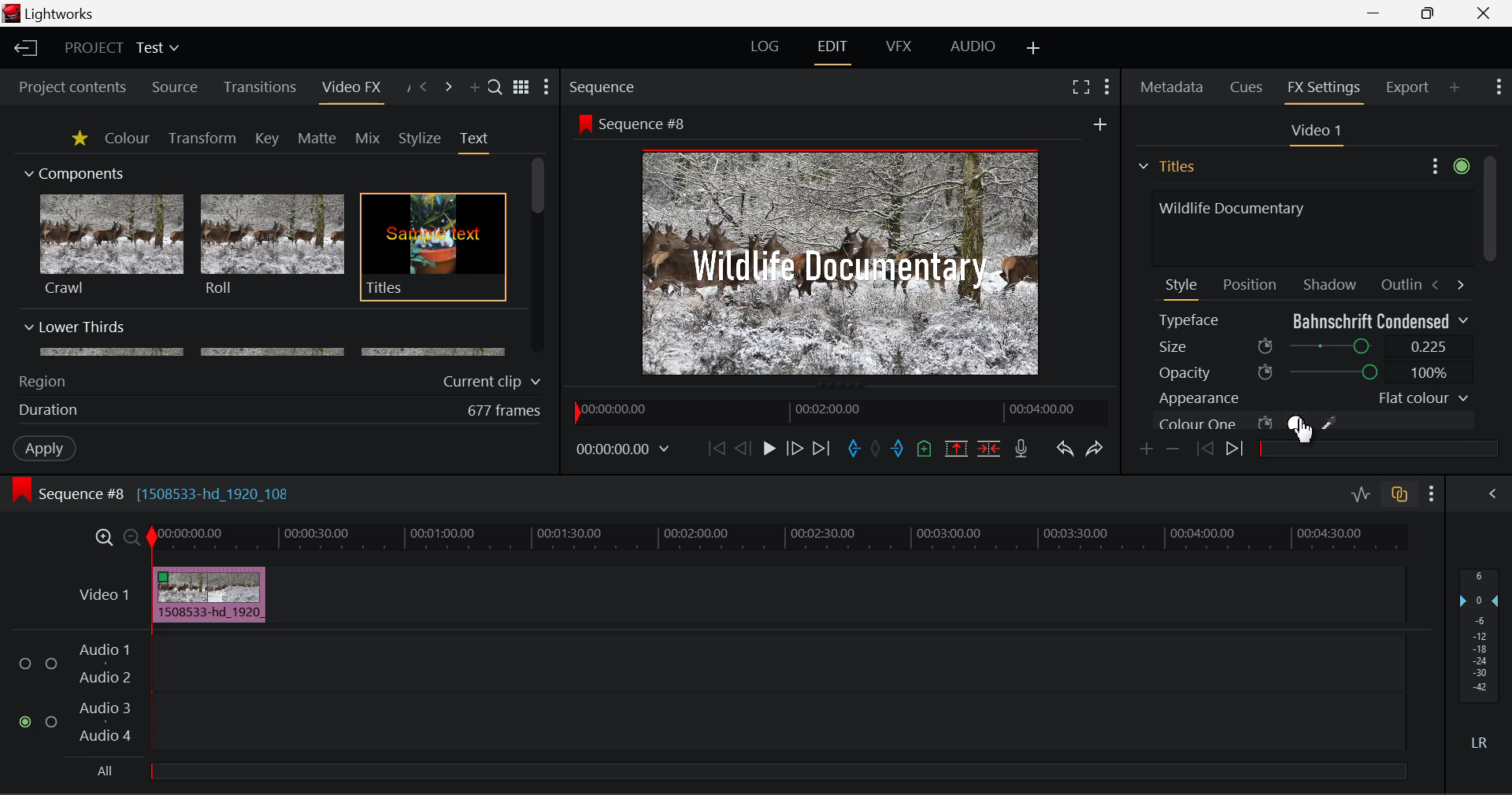  Describe the element at coordinates (450, 88) in the screenshot. I see `Next Panel` at that location.